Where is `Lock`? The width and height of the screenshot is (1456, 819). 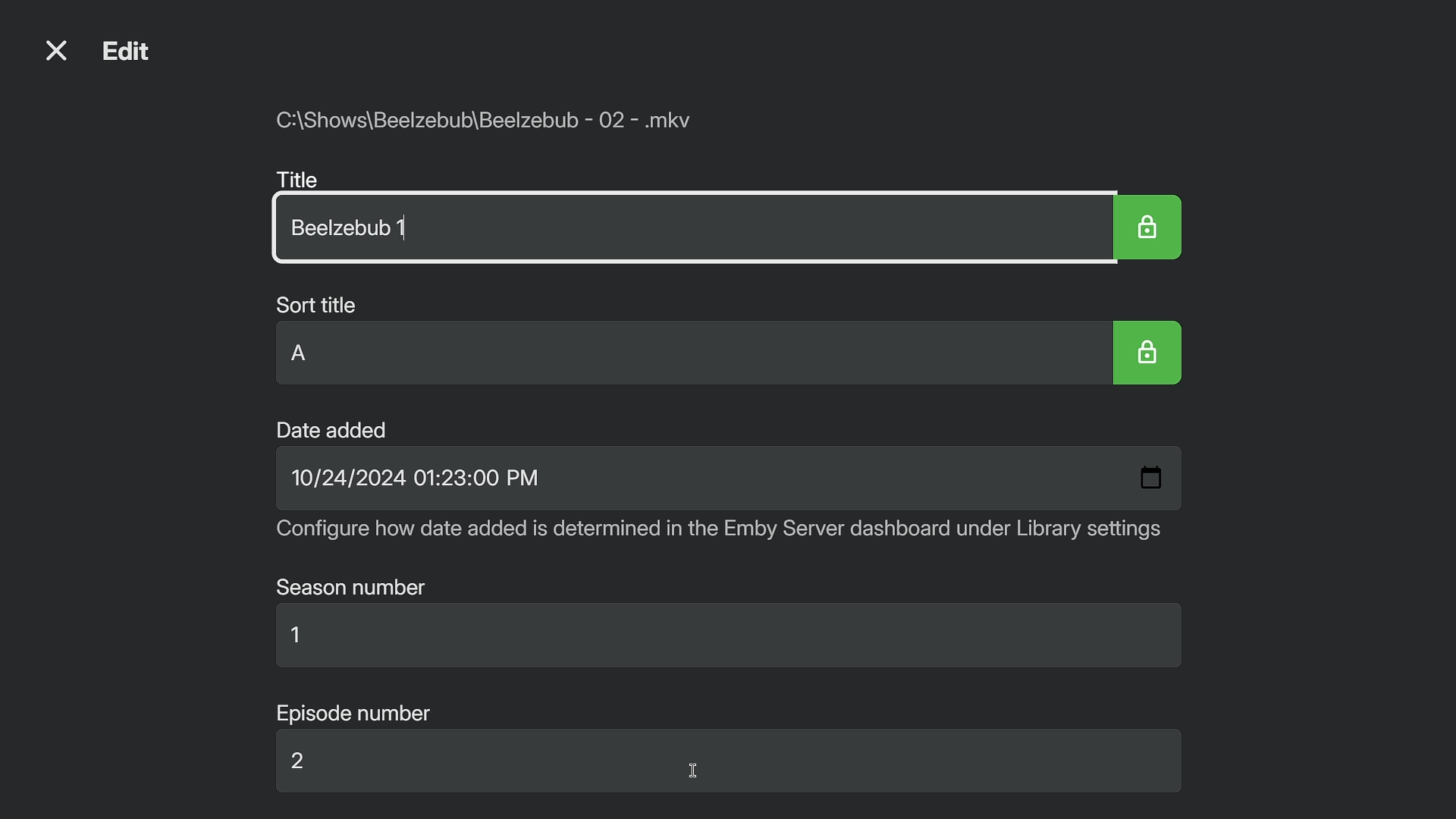 Lock is located at coordinates (1153, 355).